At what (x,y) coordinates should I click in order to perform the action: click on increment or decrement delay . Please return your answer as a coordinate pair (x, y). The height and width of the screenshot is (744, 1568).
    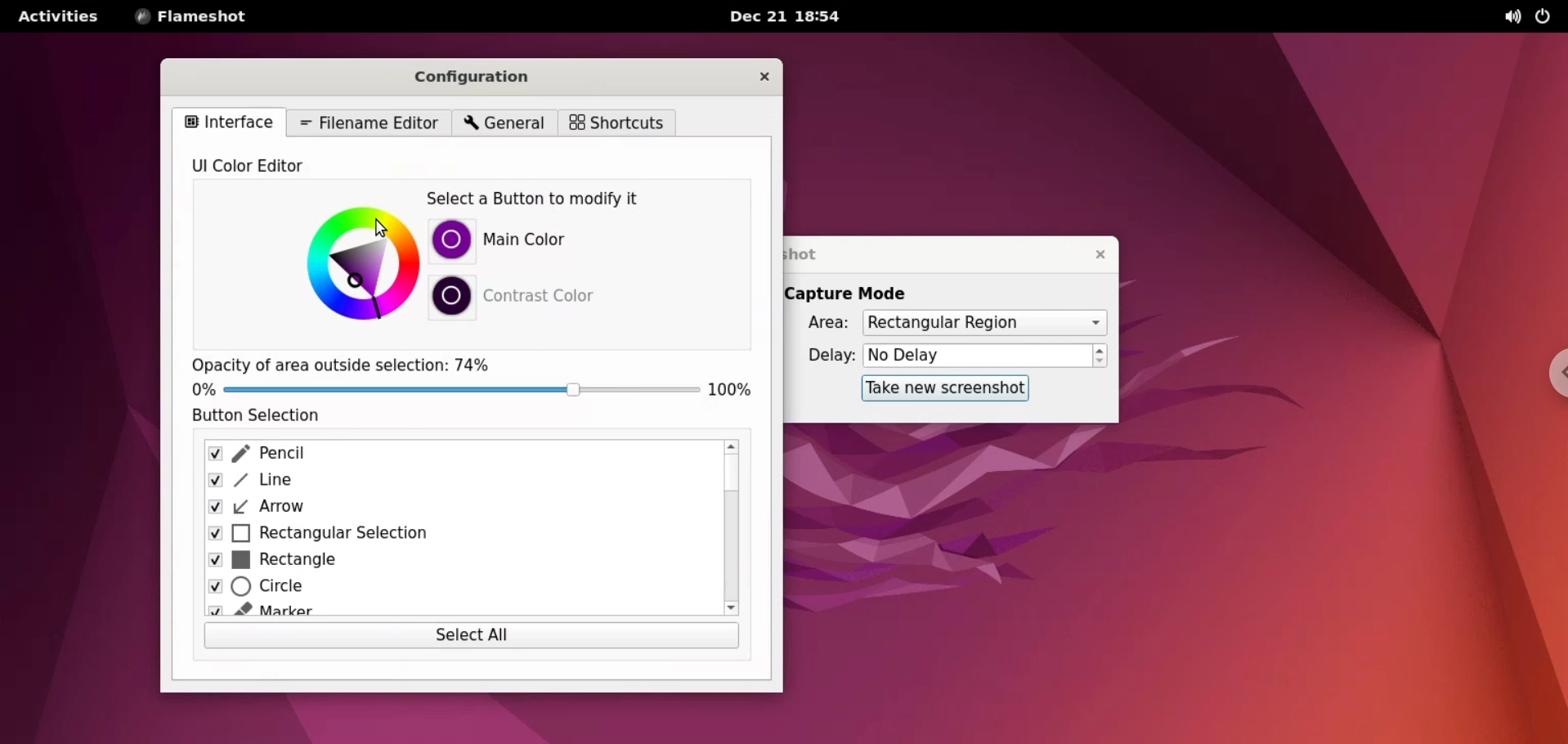
    Looking at the image, I should click on (1102, 356).